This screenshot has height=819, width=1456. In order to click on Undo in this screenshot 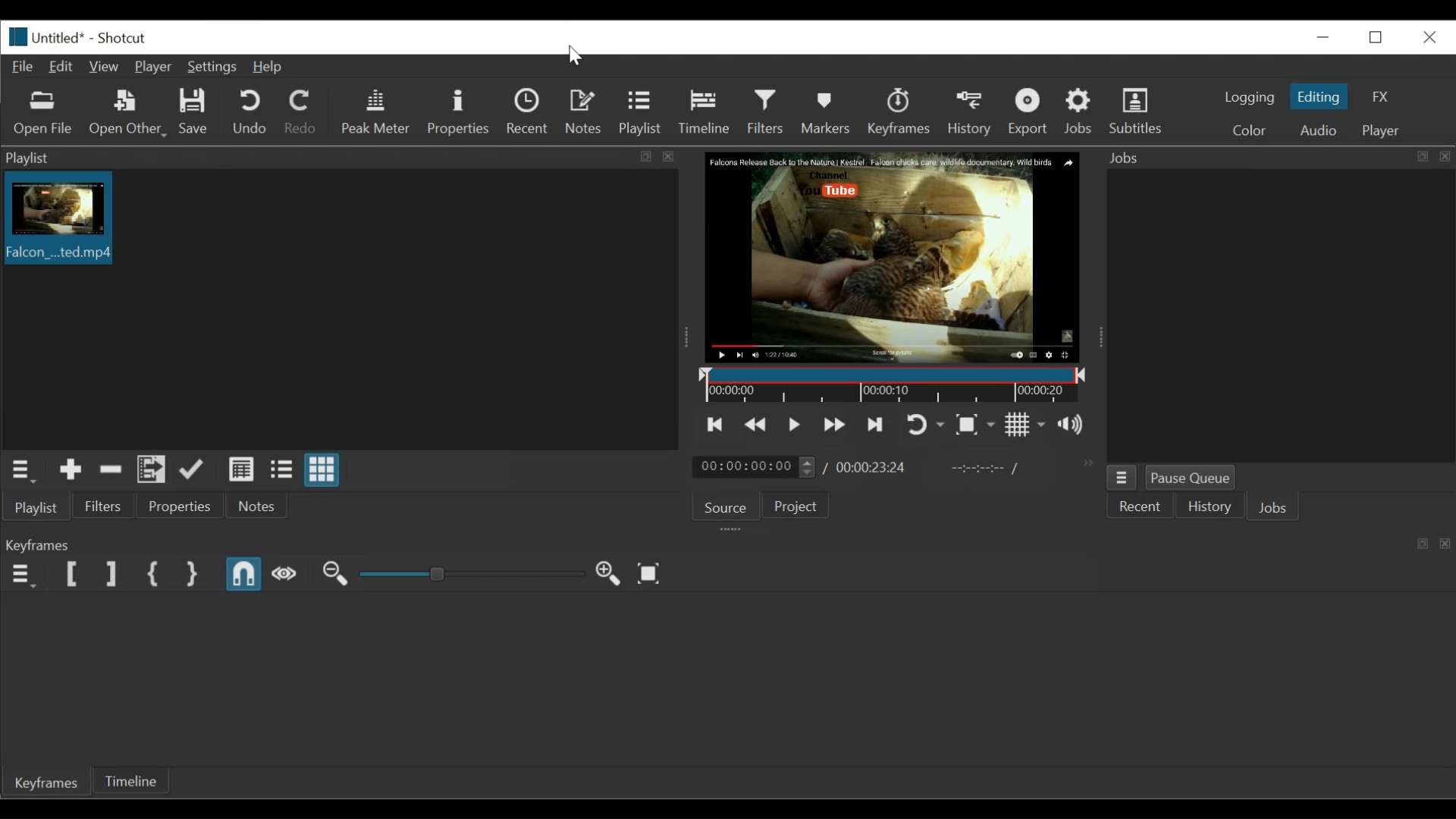, I will do `click(253, 112)`.